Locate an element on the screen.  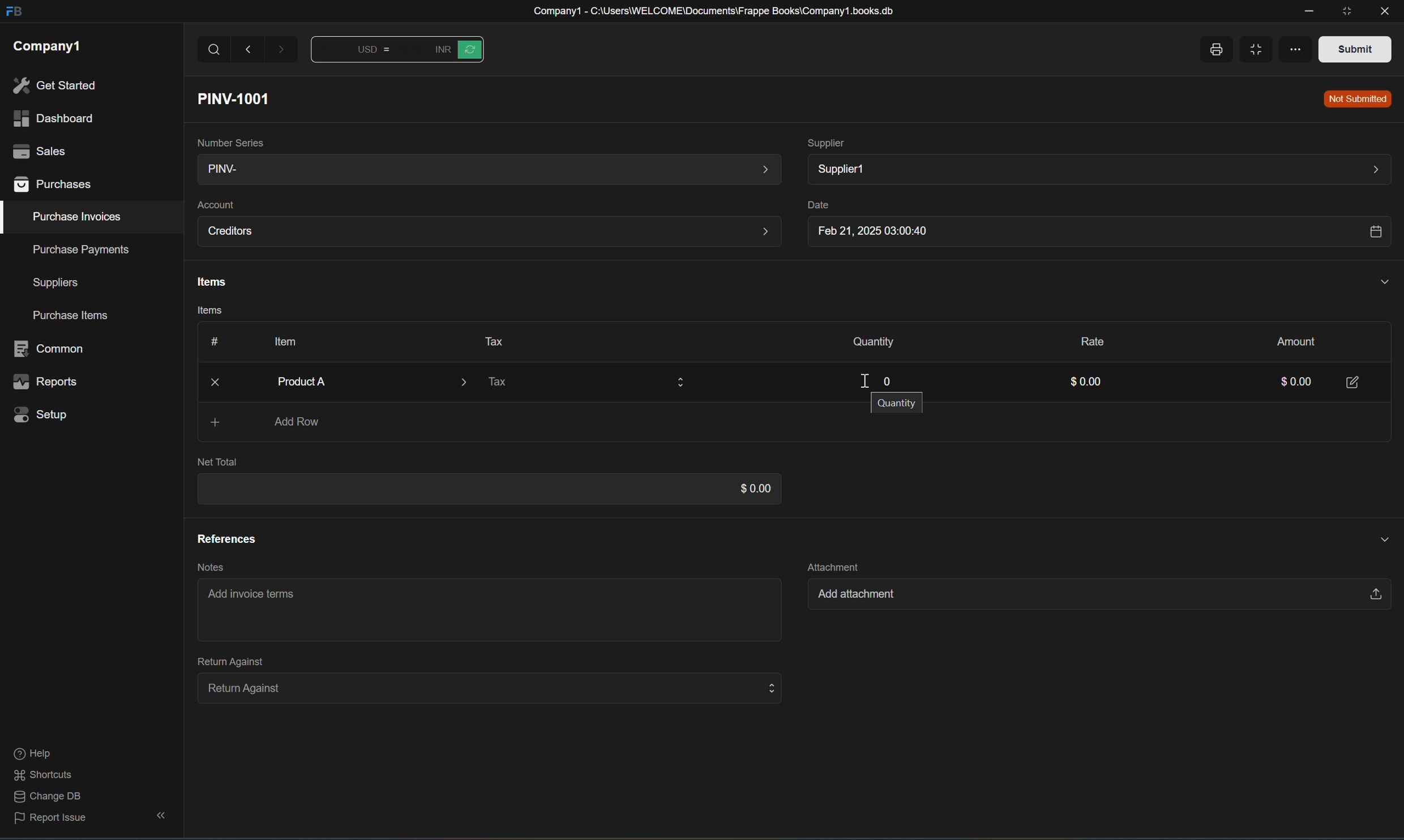
Number Series is located at coordinates (228, 140).